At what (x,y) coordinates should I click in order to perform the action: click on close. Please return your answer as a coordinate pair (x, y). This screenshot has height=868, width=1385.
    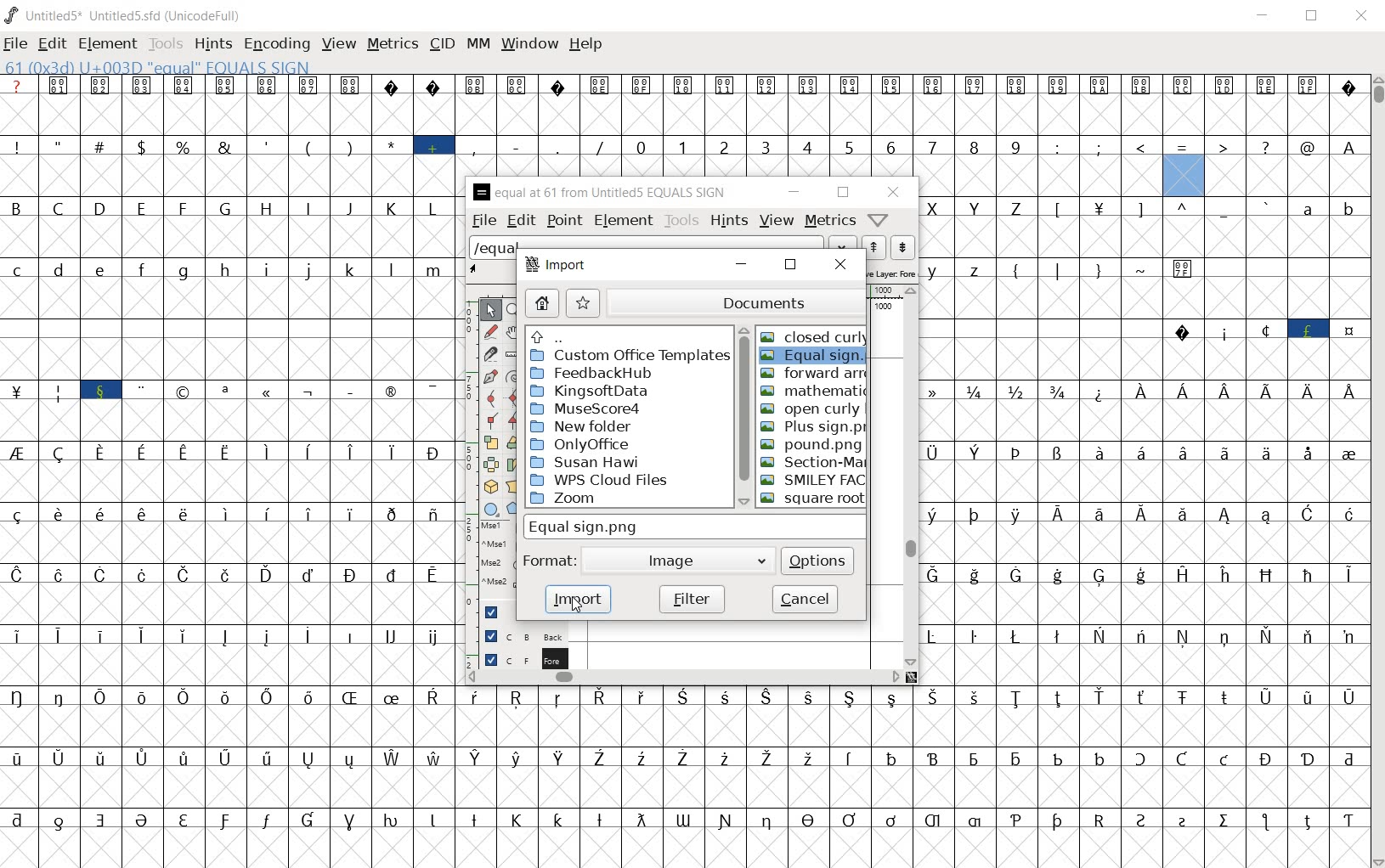
    Looking at the image, I should click on (841, 268).